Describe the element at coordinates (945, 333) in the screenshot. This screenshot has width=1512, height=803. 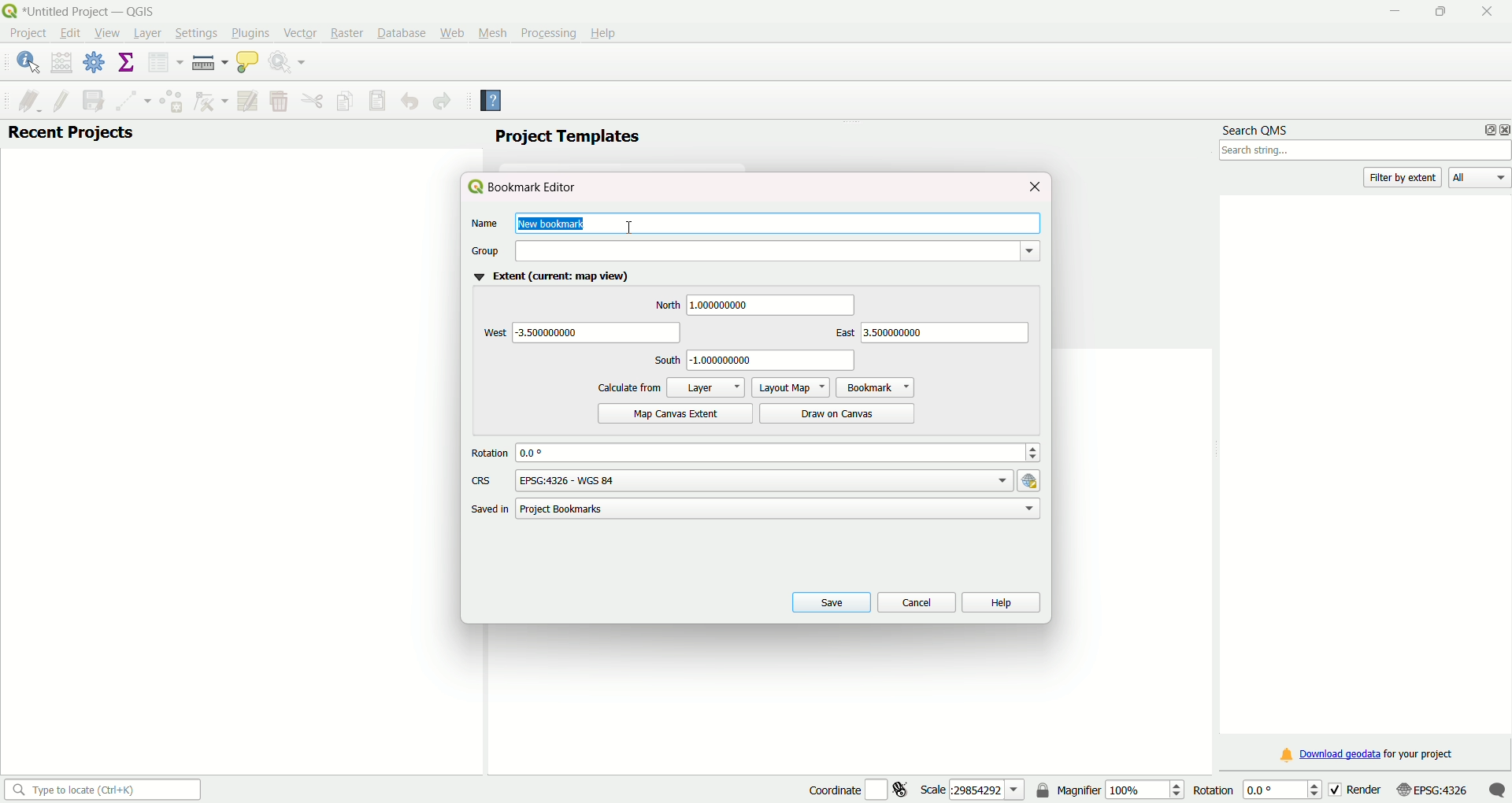
I see `text box` at that location.